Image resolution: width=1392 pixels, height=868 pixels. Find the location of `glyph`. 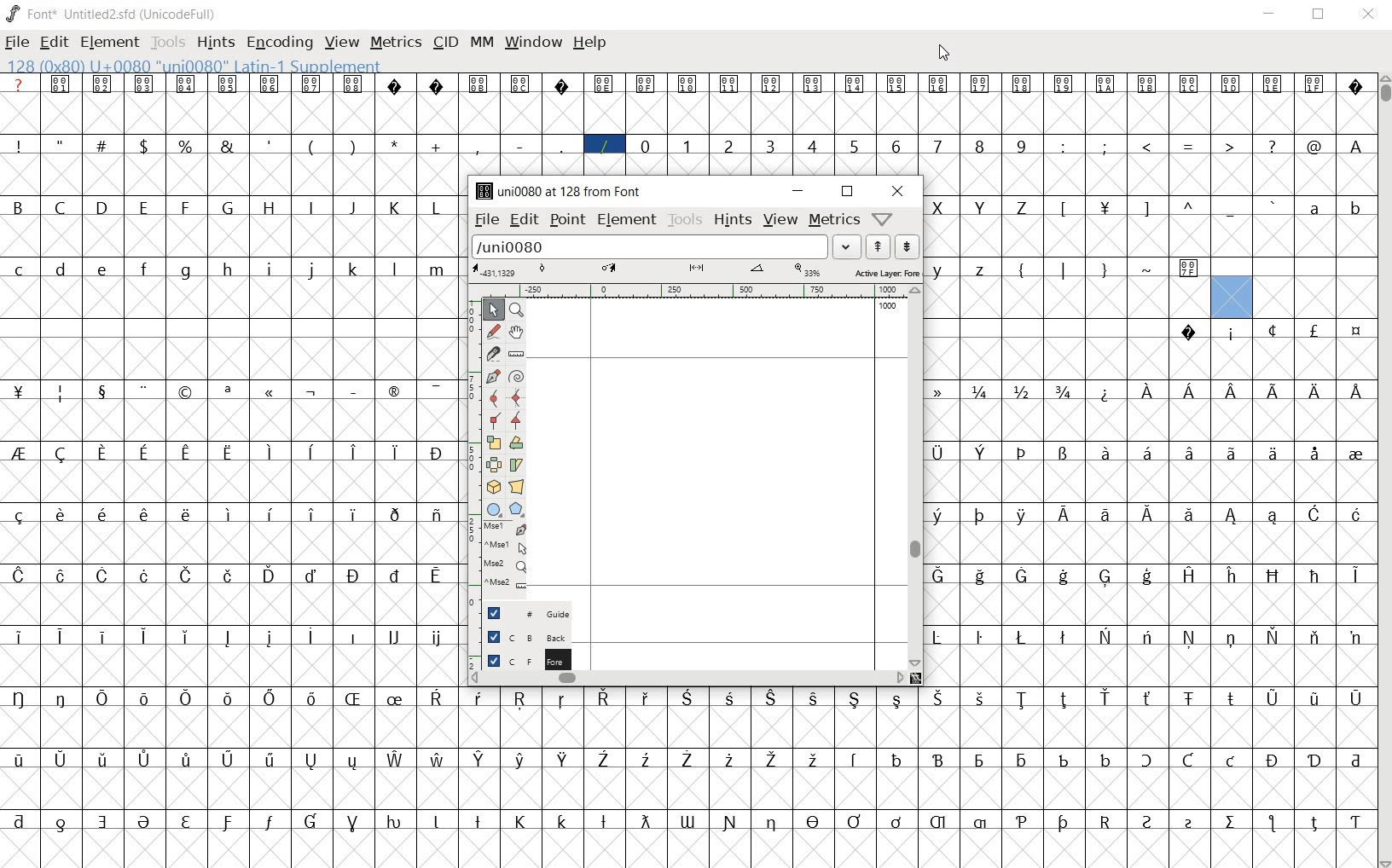

glyph is located at coordinates (354, 84).